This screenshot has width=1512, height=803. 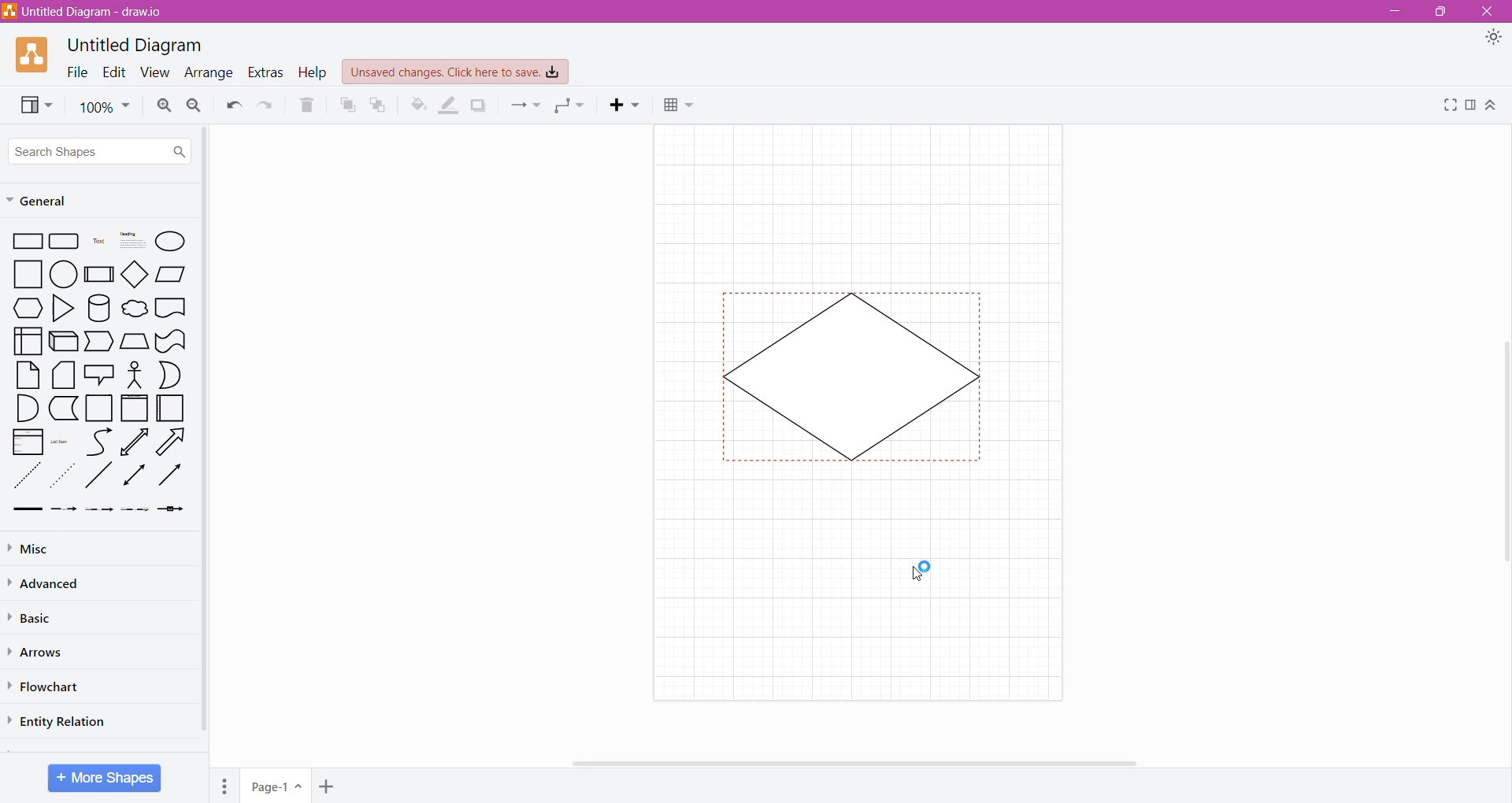 I want to click on View, so click(x=154, y=73).